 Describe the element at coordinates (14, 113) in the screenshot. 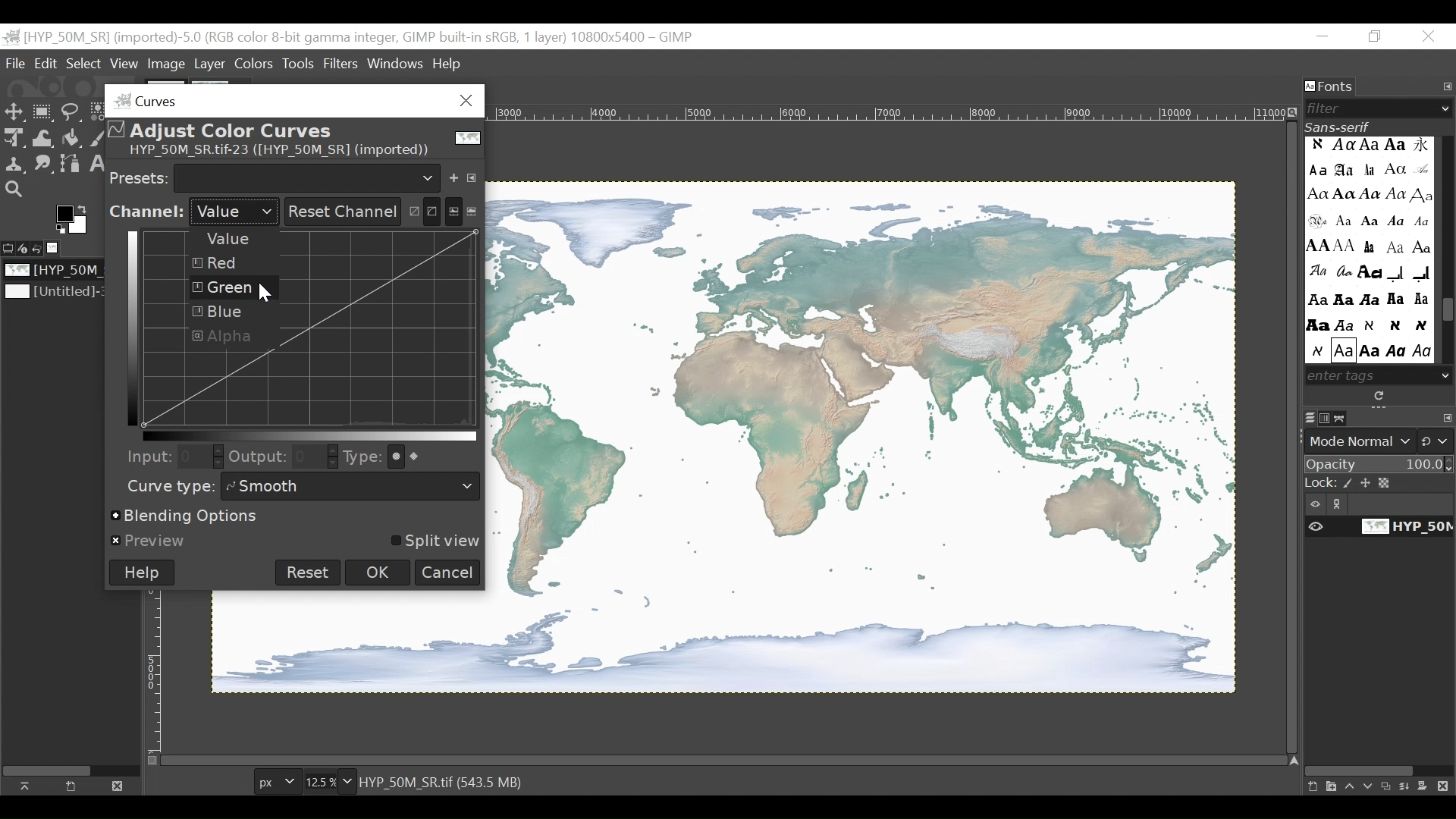

I see `Select tool` at that location.